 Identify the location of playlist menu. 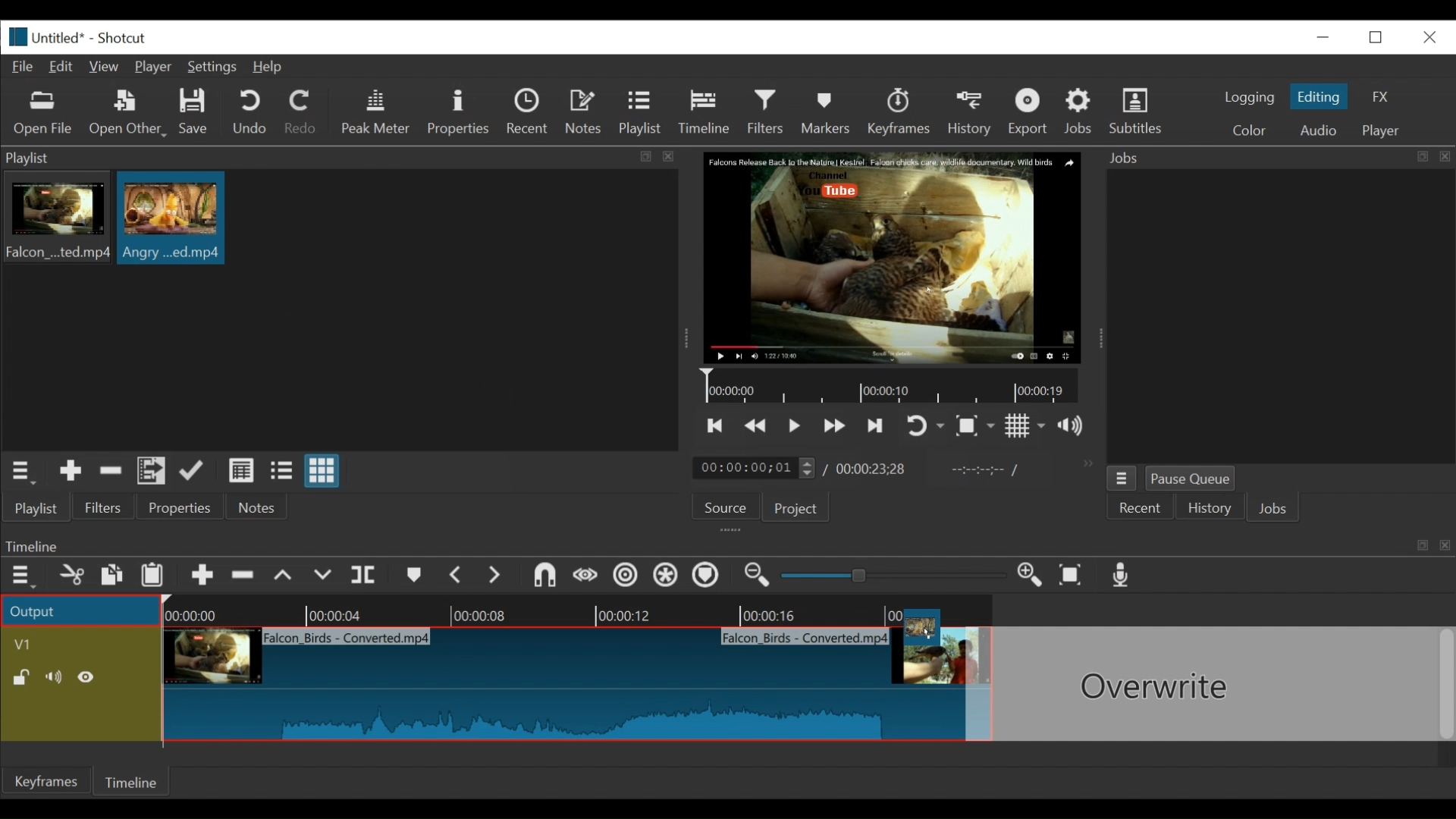
(24, 470).